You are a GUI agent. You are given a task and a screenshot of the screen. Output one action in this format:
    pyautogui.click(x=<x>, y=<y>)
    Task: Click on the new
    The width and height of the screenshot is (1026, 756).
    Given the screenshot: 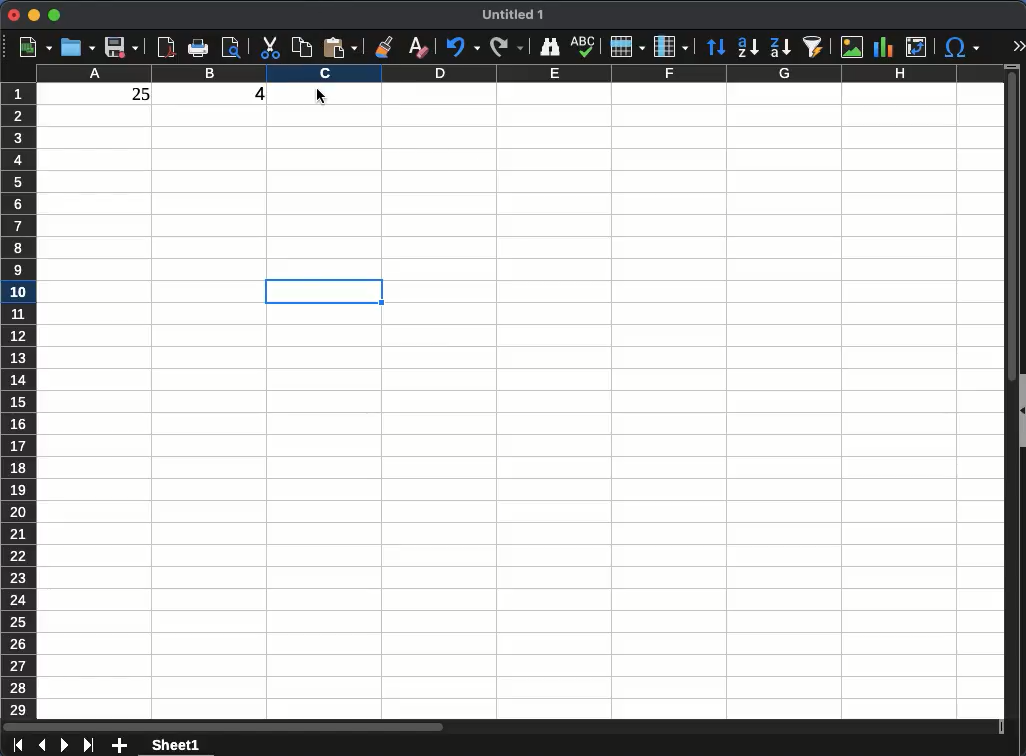 What is the action you would take?
    pyautogui.click(x=34, y=48)
    